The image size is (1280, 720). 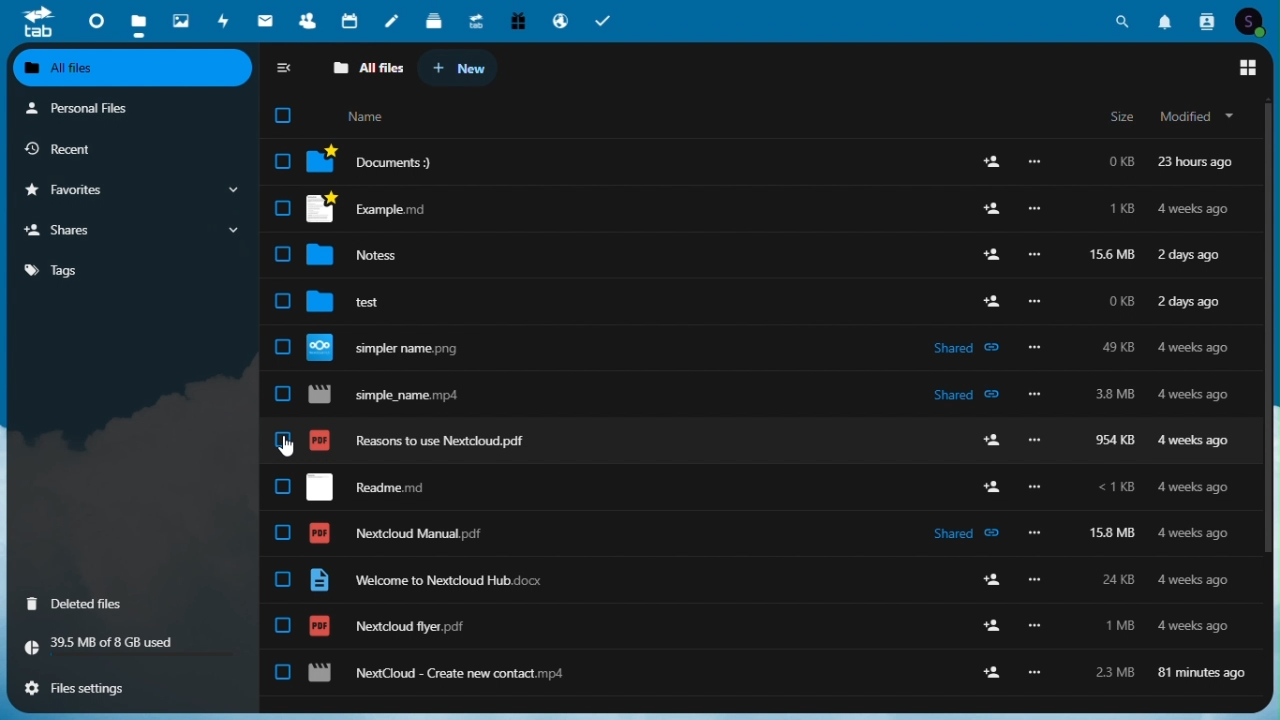 I want to click on 0kb, so click(x=1120, y=305).